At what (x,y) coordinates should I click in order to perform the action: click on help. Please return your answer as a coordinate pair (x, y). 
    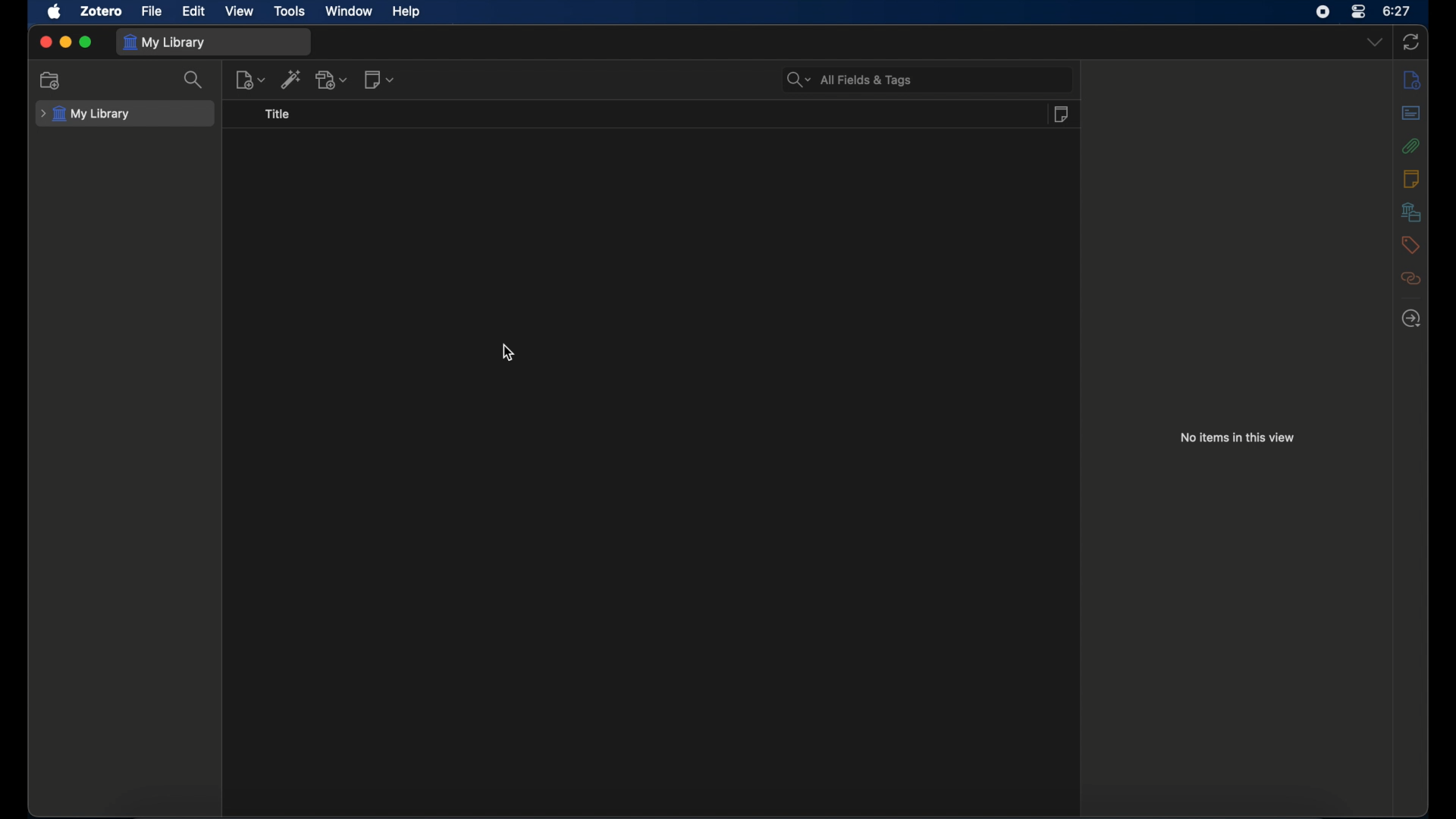
    Looking at the image, I should click on (406, 11).